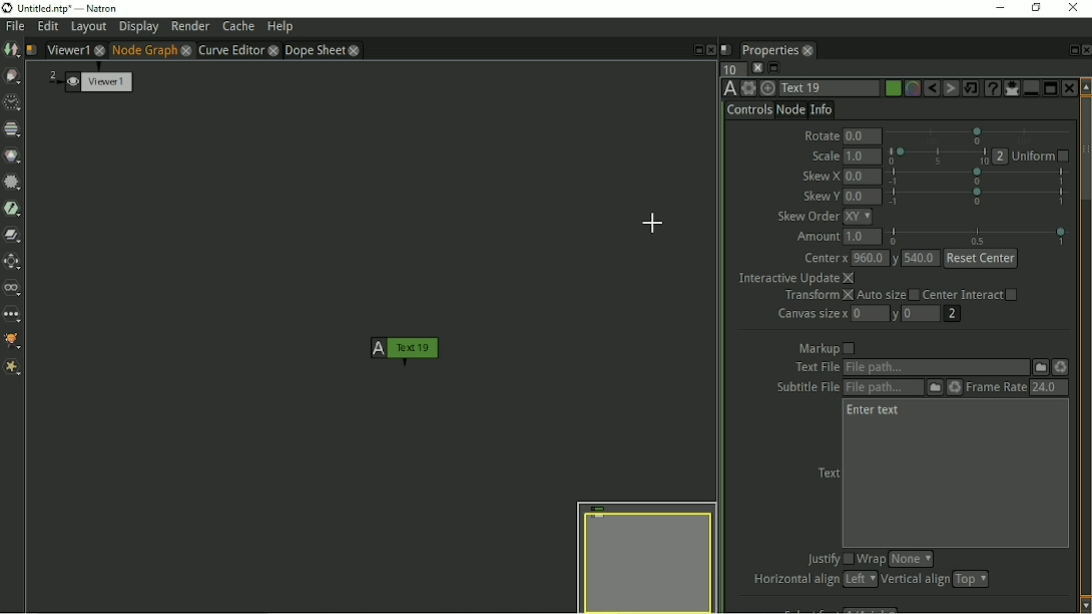  What do you see at coordinates (862, 135) in the screenshot?
I see `0.0` at bounding box center [862, 135].